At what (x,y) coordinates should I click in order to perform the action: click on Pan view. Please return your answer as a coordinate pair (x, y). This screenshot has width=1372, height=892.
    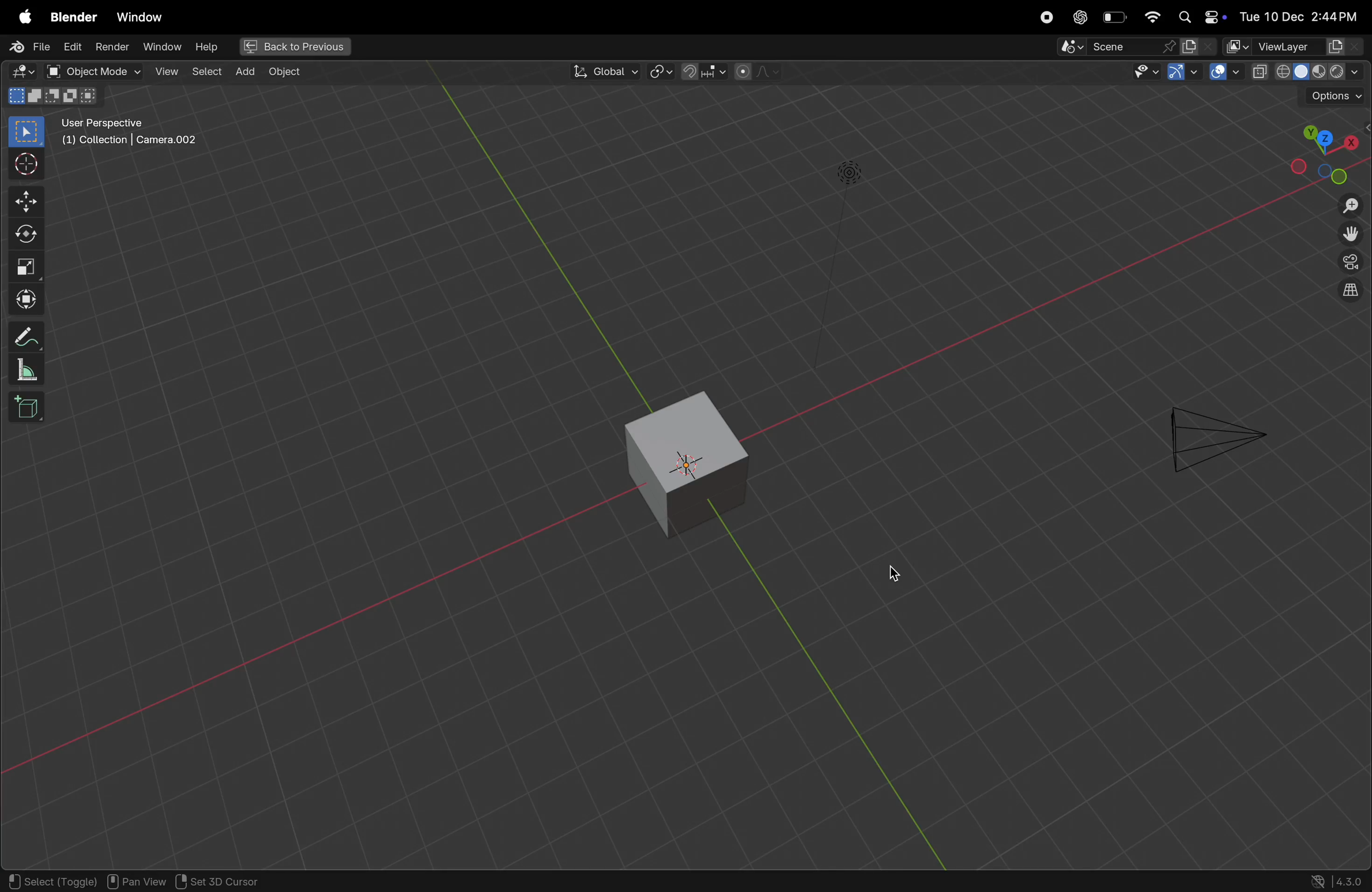
    Looking at the image, I should click on (133, 882).